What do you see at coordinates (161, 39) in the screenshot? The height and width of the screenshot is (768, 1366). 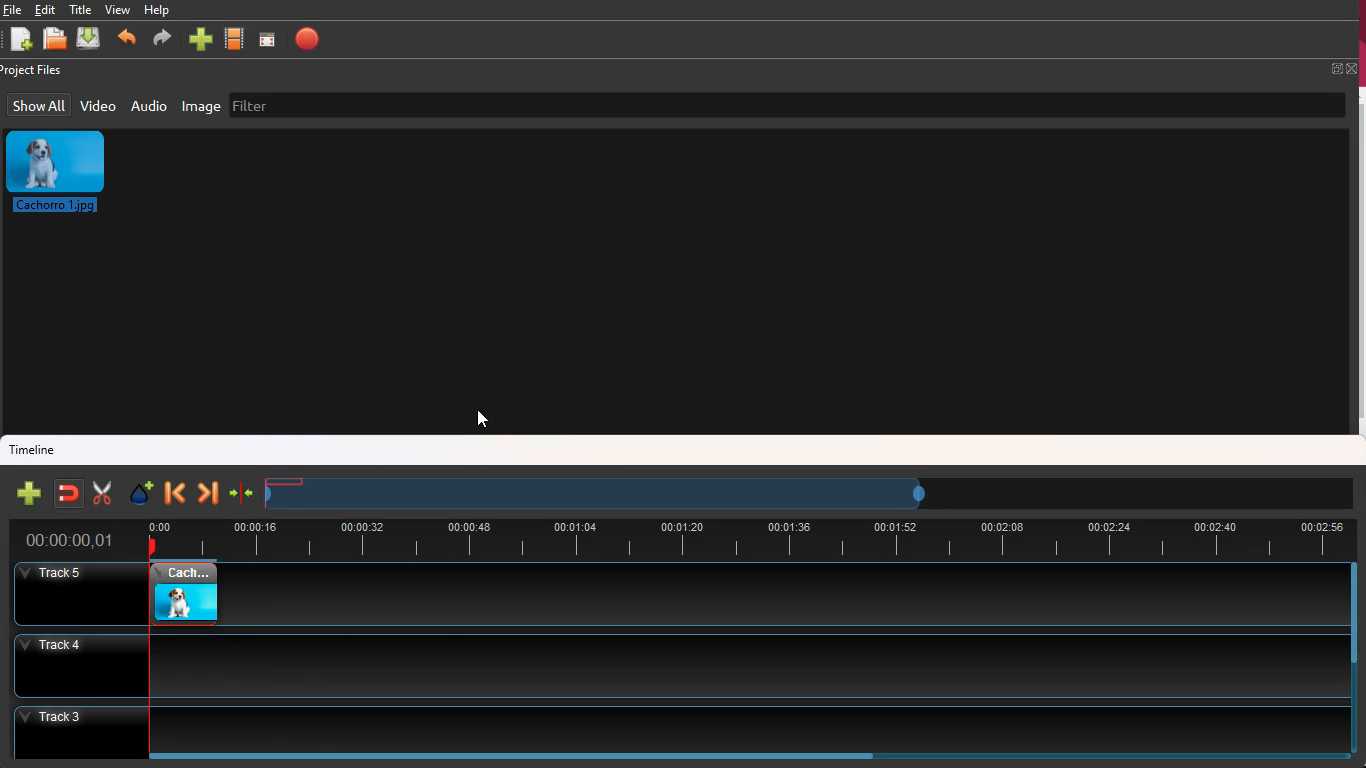 I see `forward` at bounding box center [161, 39].